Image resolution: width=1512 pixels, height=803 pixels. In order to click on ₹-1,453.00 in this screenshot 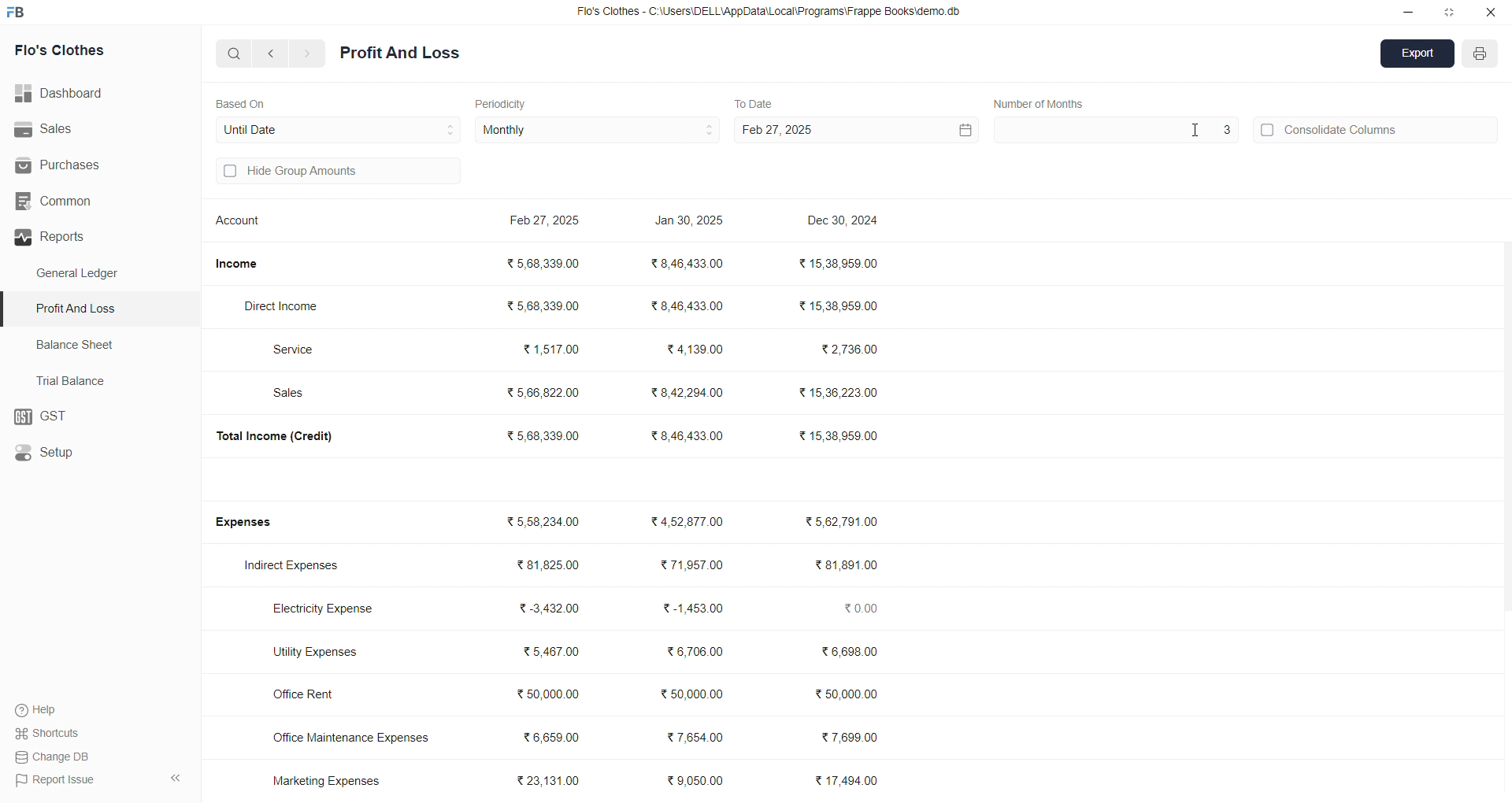, I will do `click(690, 608)`.